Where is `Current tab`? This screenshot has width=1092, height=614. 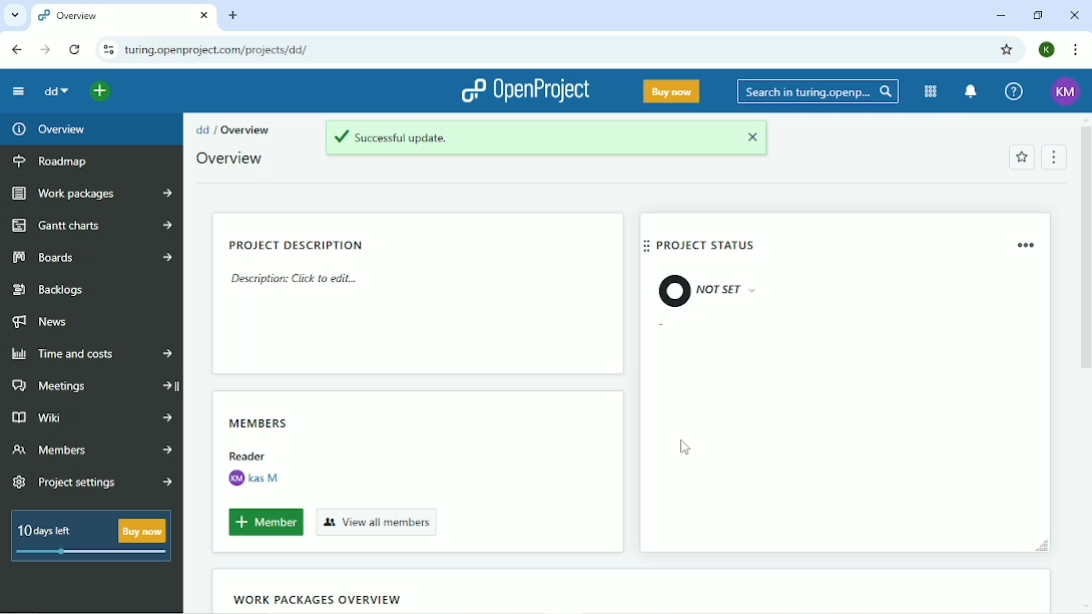 Current tab is located at coordinates (124, 17).